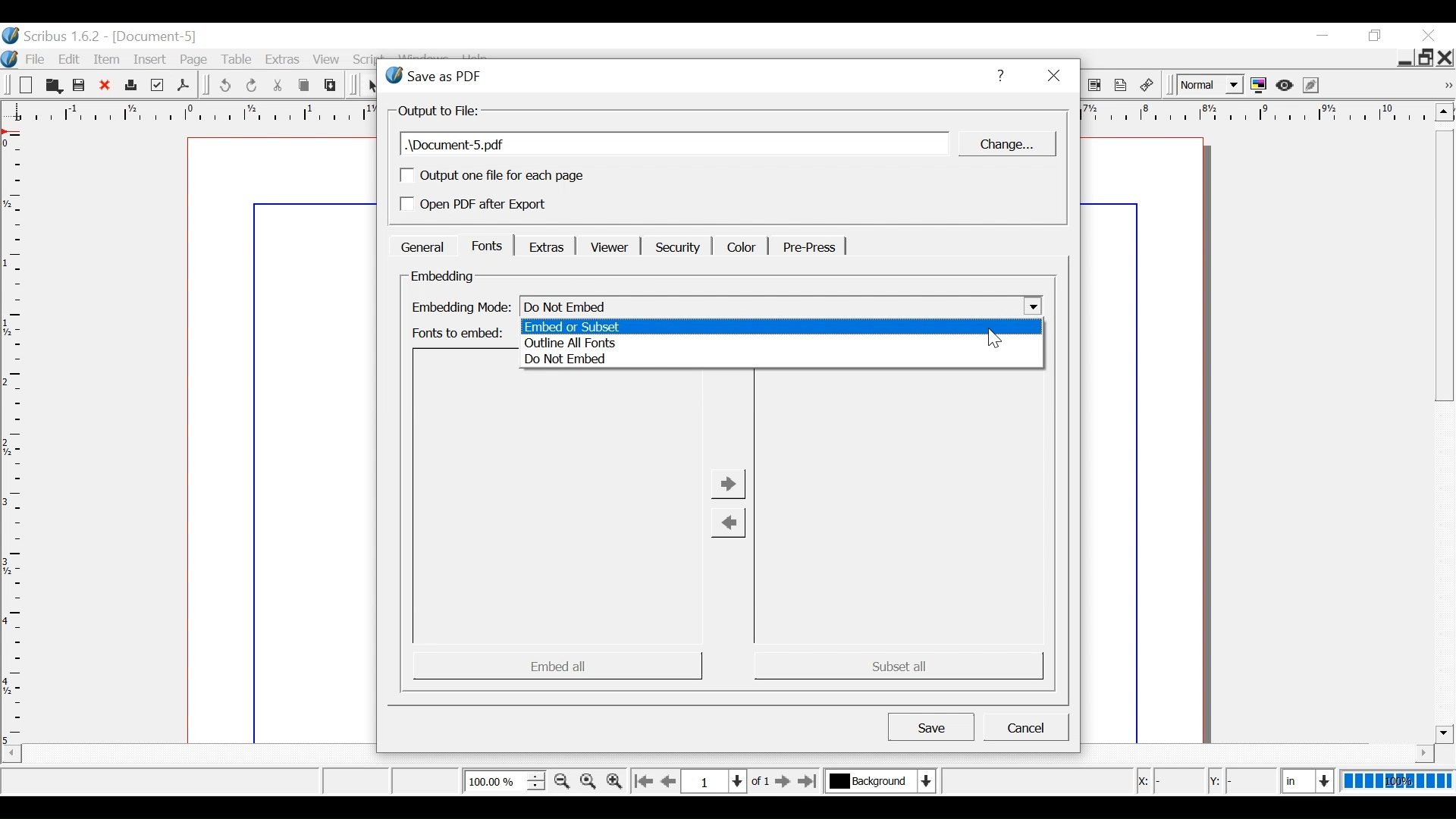 The height and width of the screenshot is (819, 1456). What do you see at coordinates (727, 522) in the screenshot?
I see `Change from` at bounding box center [727, 522].